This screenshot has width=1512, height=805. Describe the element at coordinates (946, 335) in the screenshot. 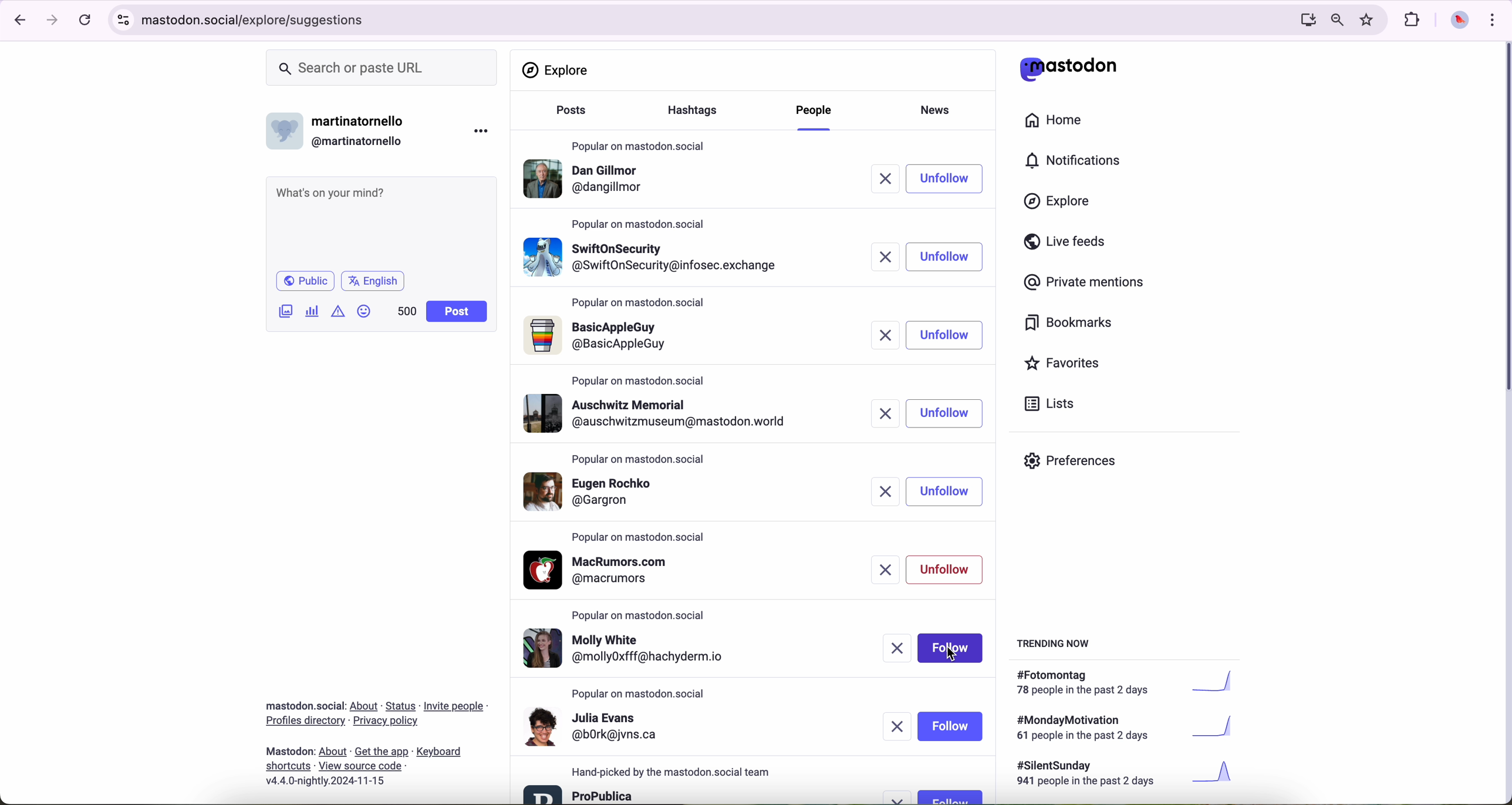

I see `unfollow` at that location.